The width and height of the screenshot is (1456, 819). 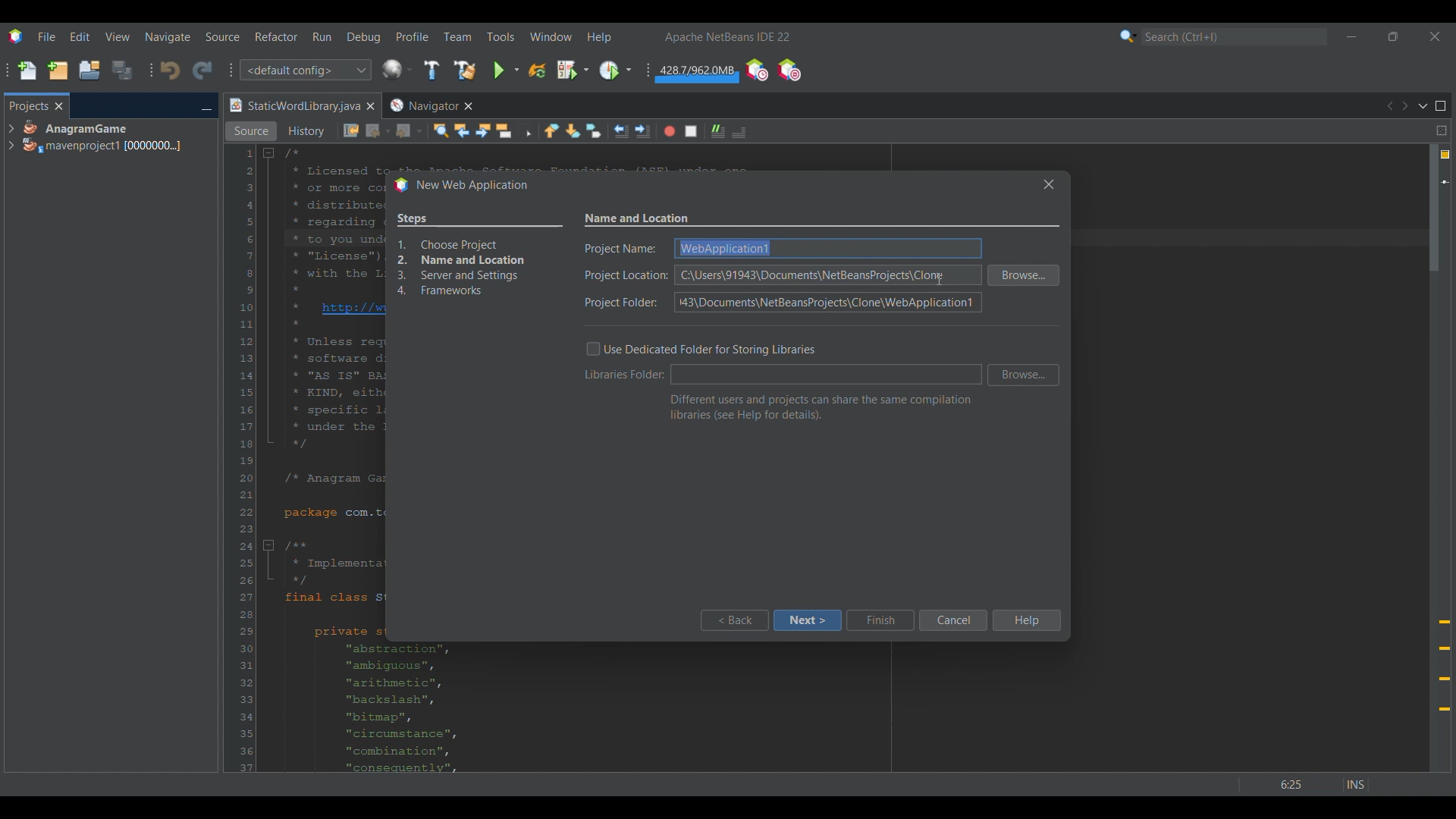 I want to click on Edit menu, so click(x=80, y=37).